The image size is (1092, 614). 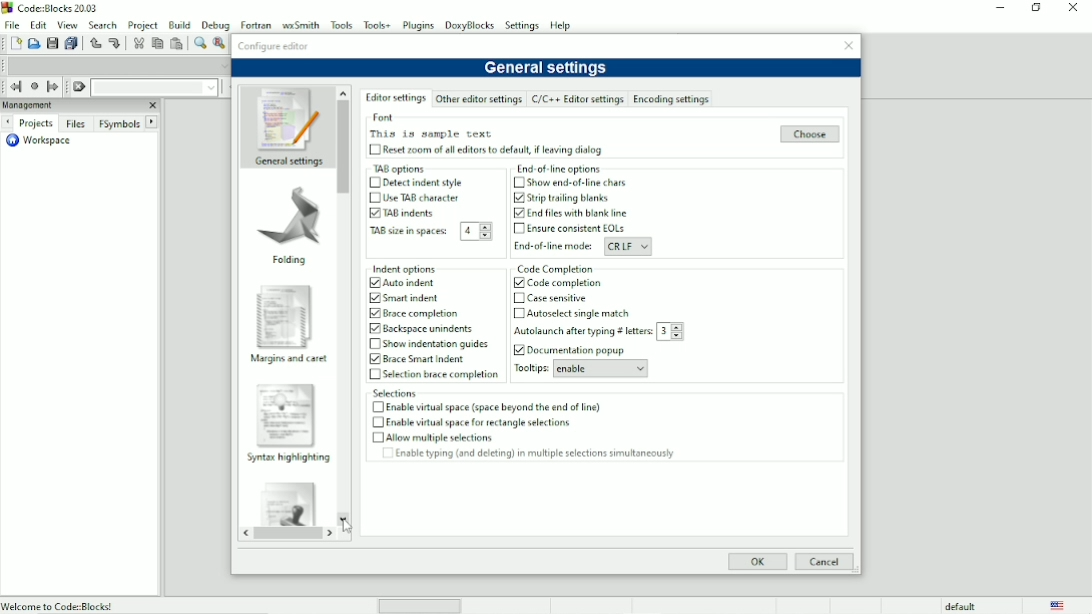 I want to click on Drop down, so click(x=645, y=247).